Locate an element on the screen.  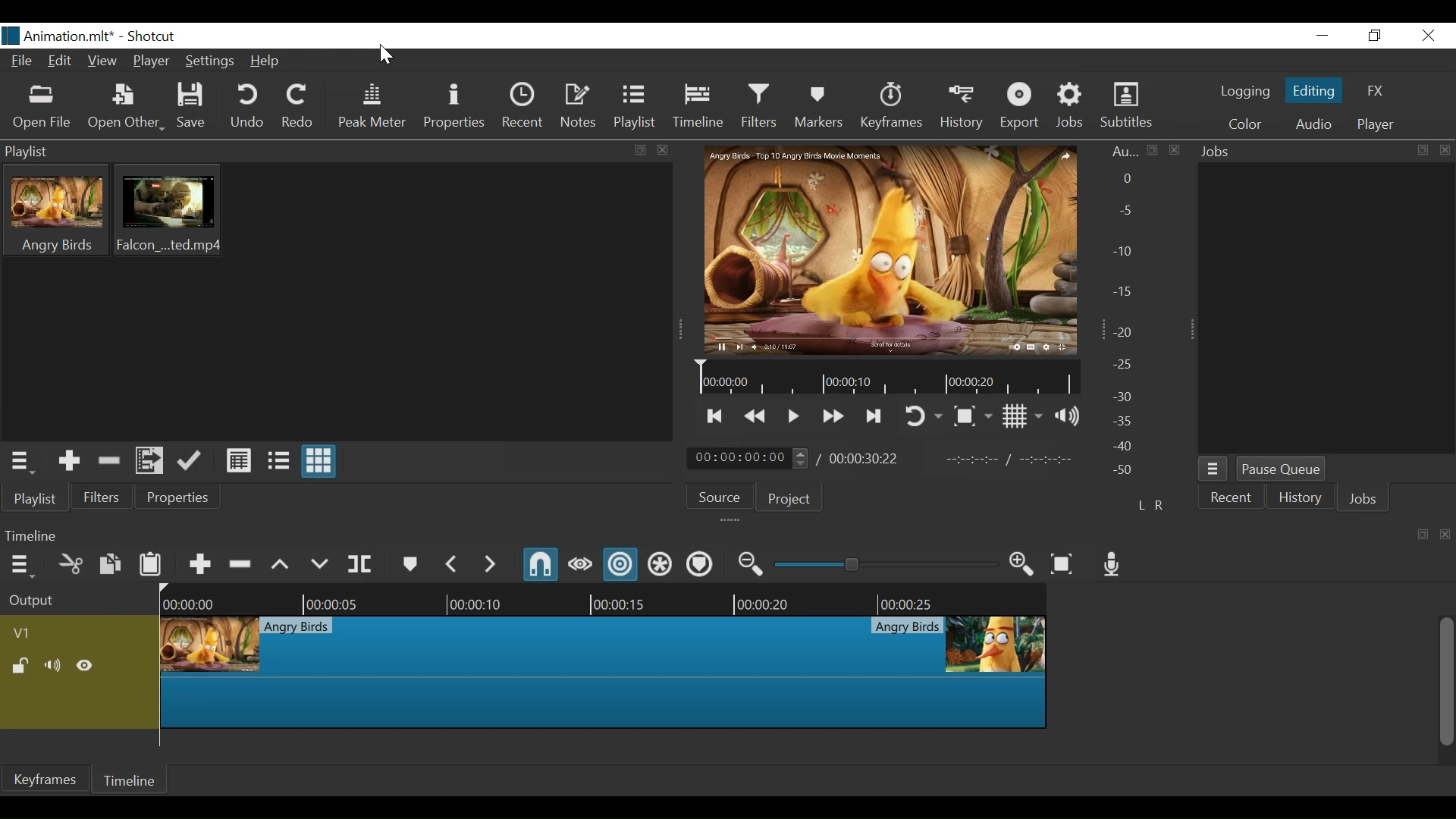
Pause Queue is located at coordinates (1281, 470).